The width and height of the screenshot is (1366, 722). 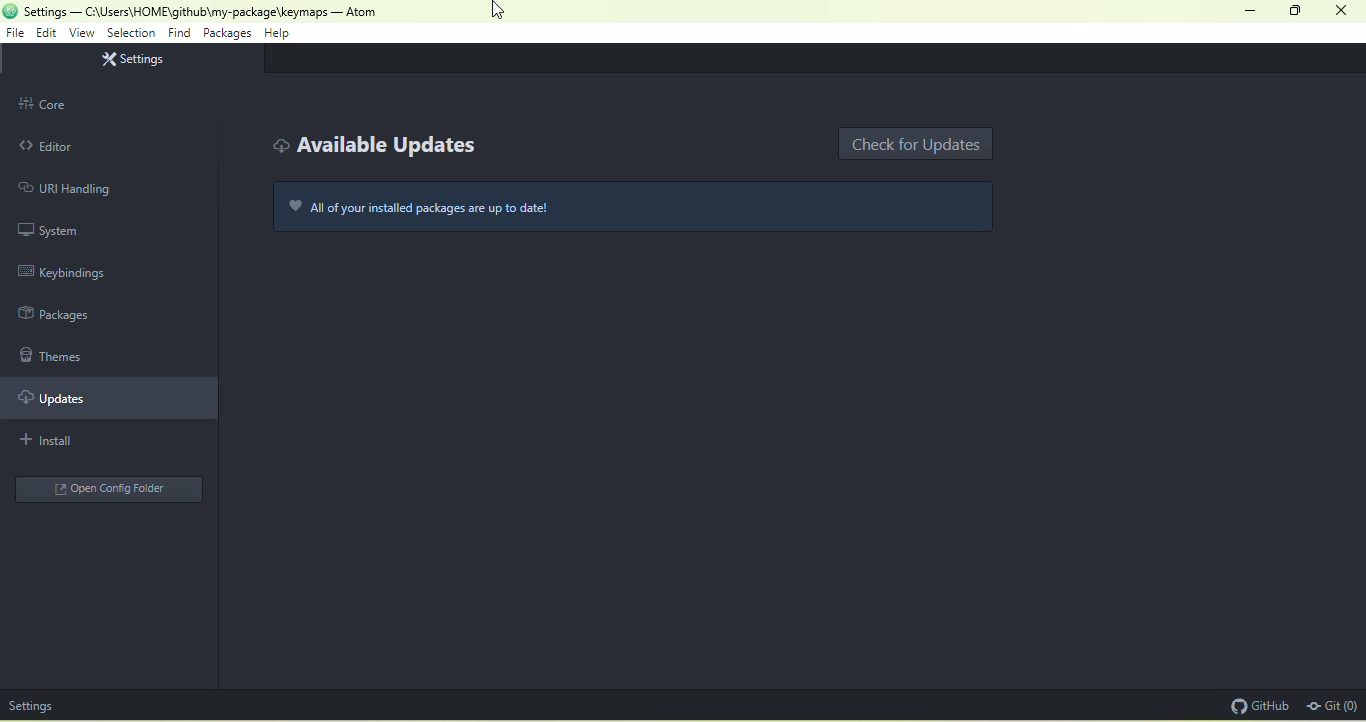 What do you see at coordinates (226, 34) in the screenshot?
I see `packages` at bounding box center [226, 34].